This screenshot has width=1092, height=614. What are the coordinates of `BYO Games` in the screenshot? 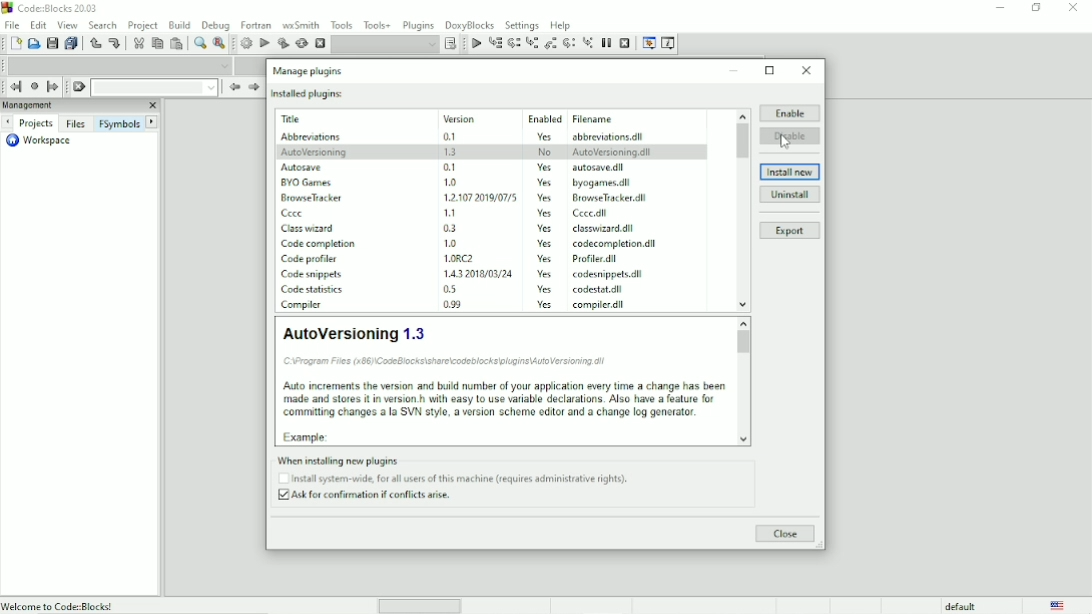 It's located at (308, 183).